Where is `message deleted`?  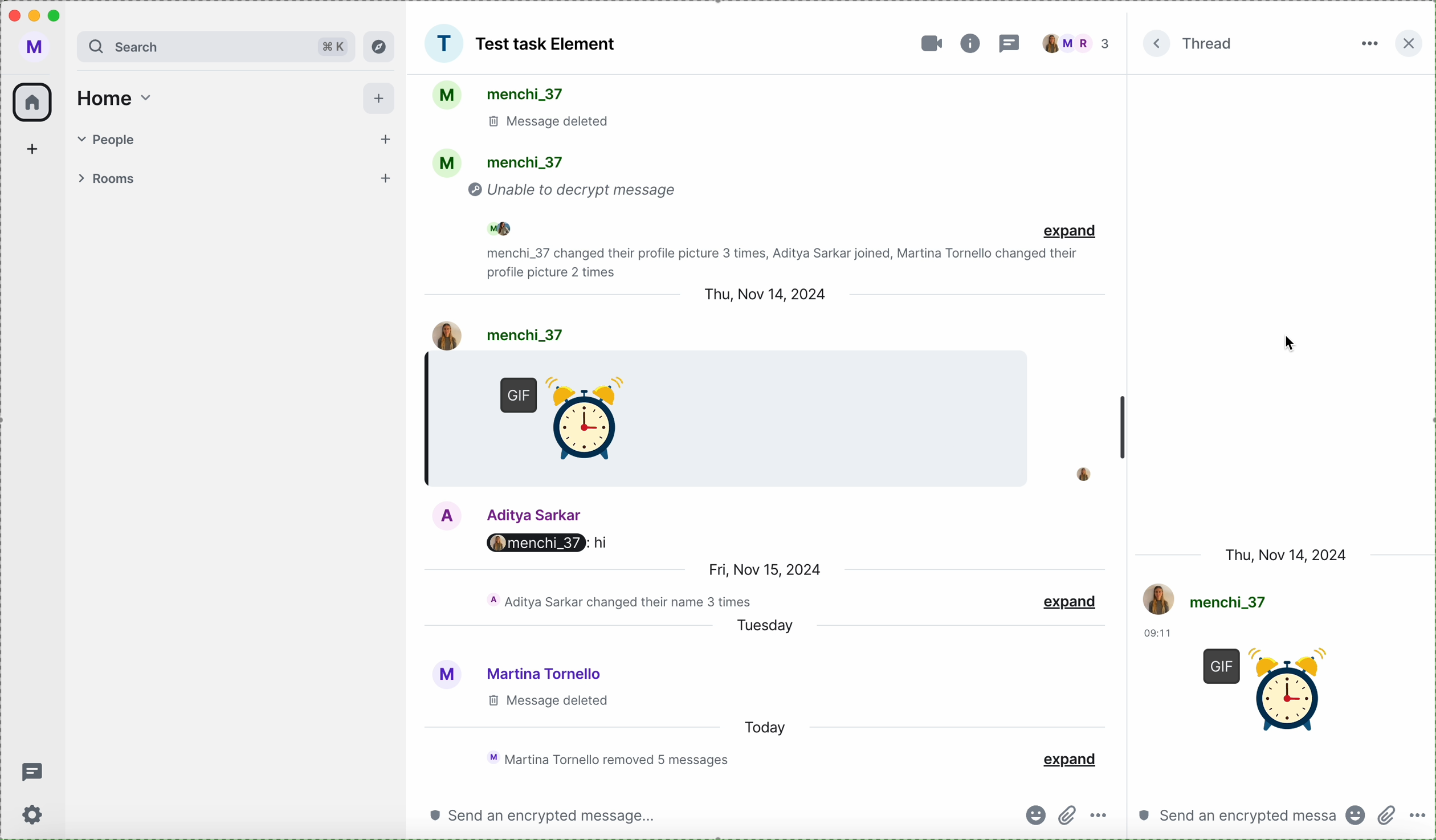 message deleted is located at coordinates (545, 702).